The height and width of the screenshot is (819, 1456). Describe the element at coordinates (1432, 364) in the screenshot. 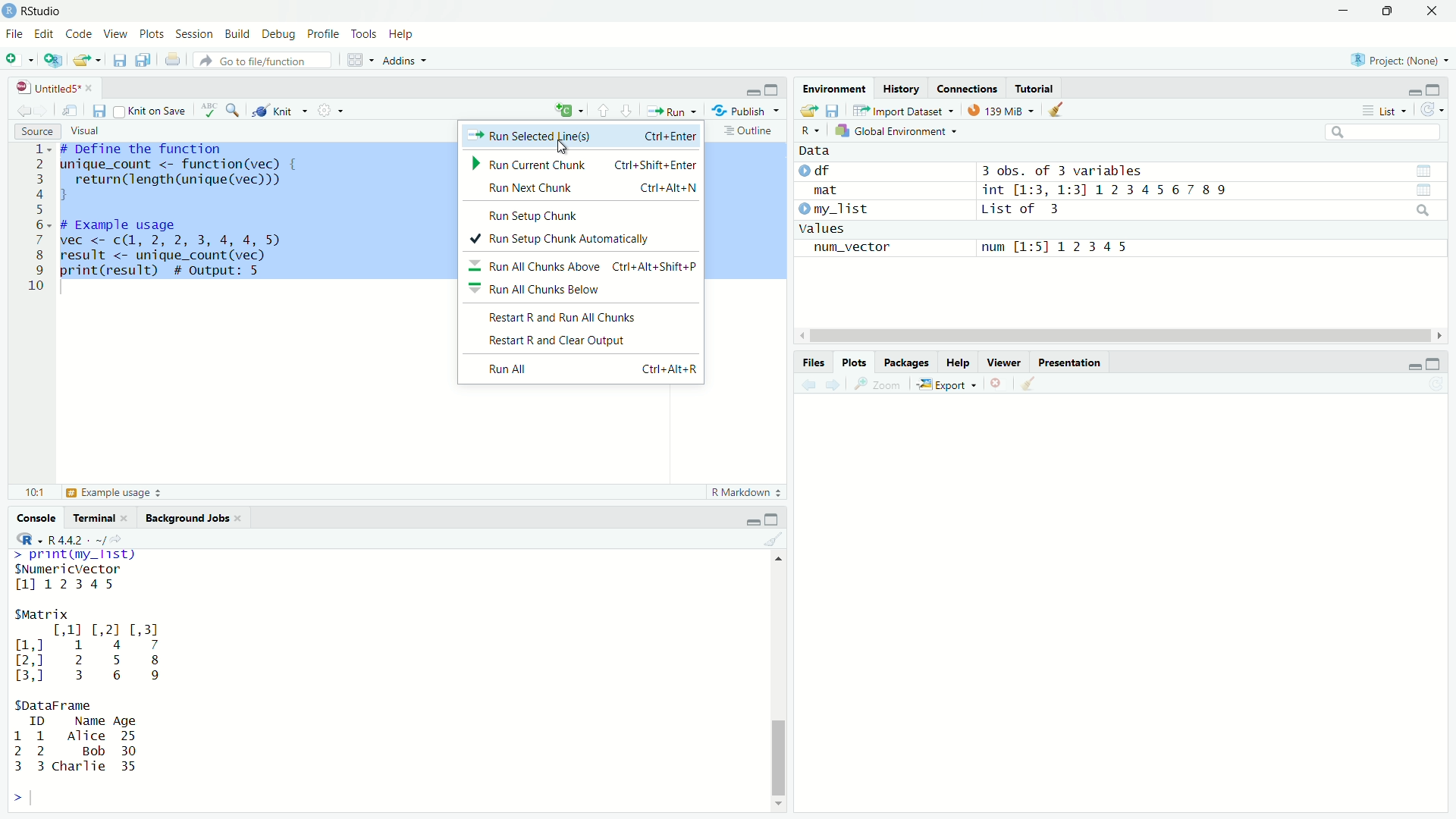

I see `maximize` at that location.